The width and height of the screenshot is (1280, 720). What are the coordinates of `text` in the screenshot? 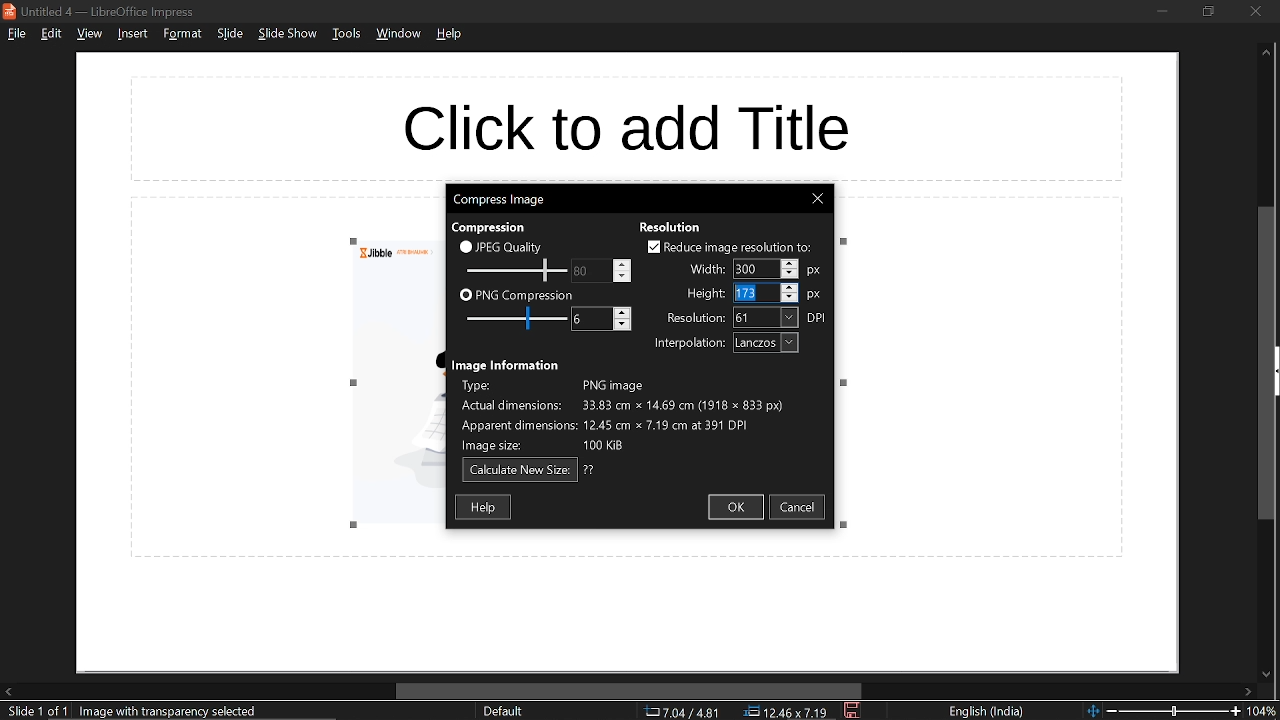 It's located at (695, 317).